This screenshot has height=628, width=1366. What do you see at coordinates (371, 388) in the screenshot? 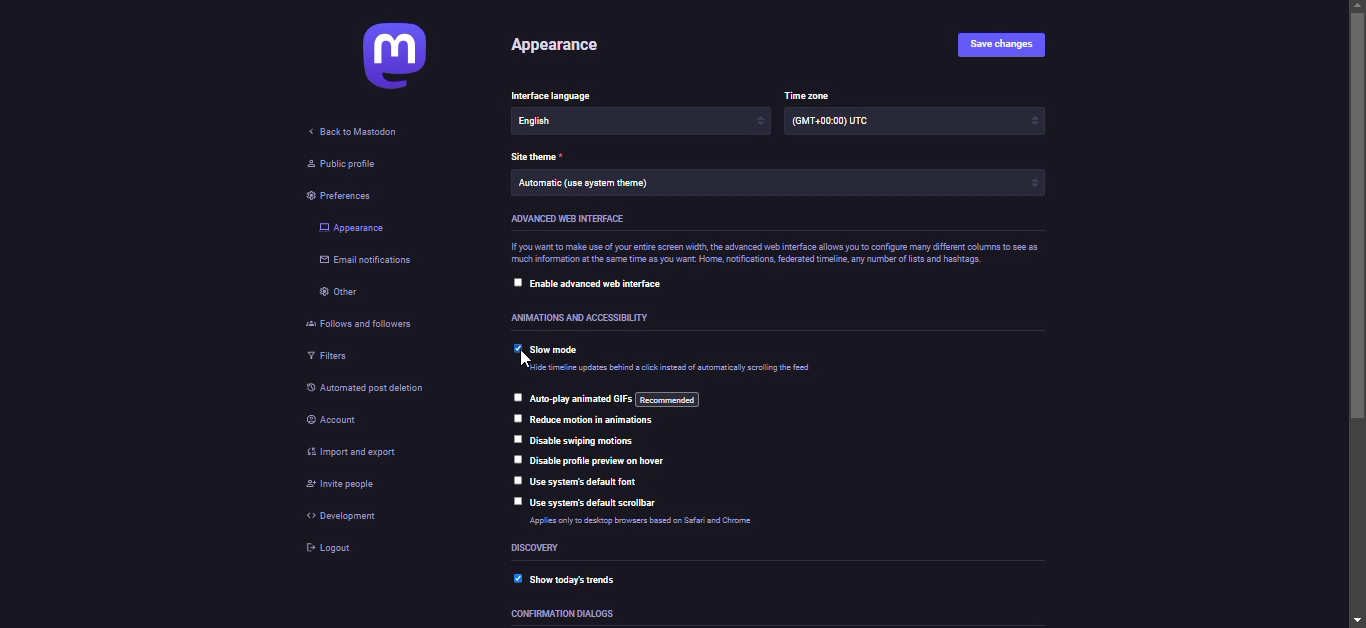
I see `automated post deletion` at bounding box center [371, 388].